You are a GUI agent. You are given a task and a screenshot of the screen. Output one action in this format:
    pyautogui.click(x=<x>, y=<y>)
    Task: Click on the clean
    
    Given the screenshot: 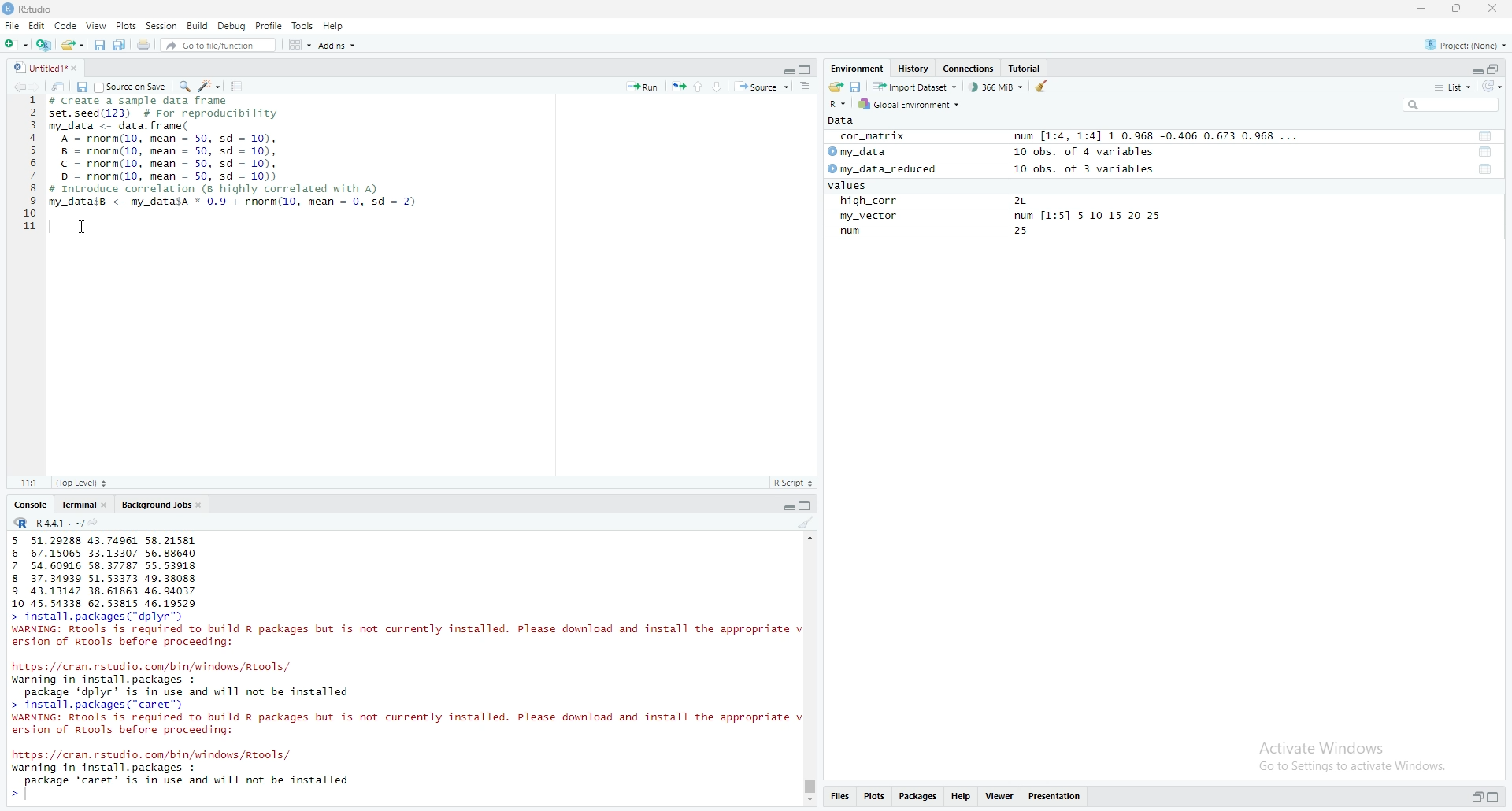 What is the action you would take?
    pyautogui.click(x=1043, y=86)
    